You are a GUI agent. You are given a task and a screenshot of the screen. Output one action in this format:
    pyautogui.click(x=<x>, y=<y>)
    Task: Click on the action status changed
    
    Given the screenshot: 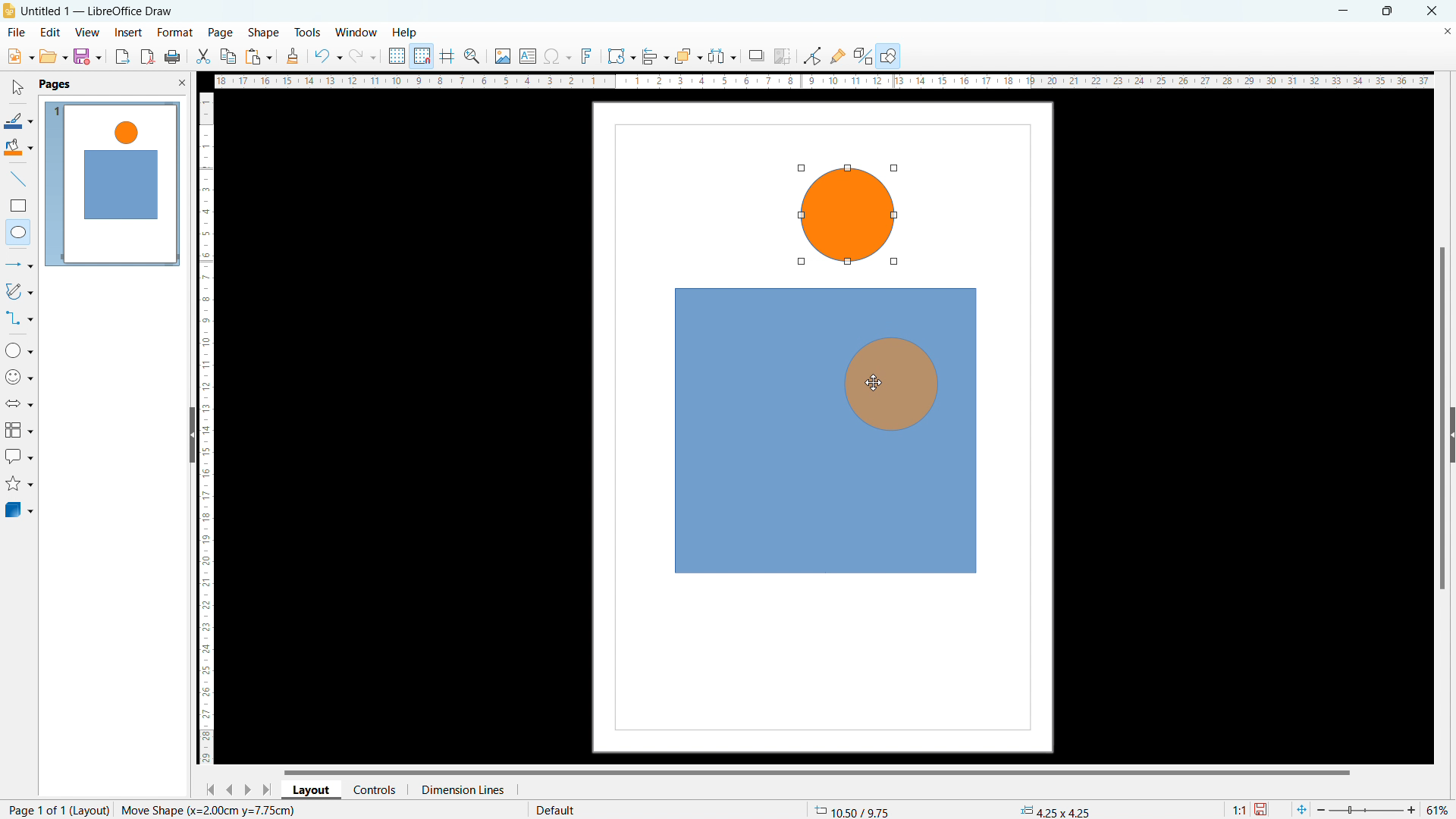 What is the action you would take?
    pyautogui.click(x=208, y=810)
    